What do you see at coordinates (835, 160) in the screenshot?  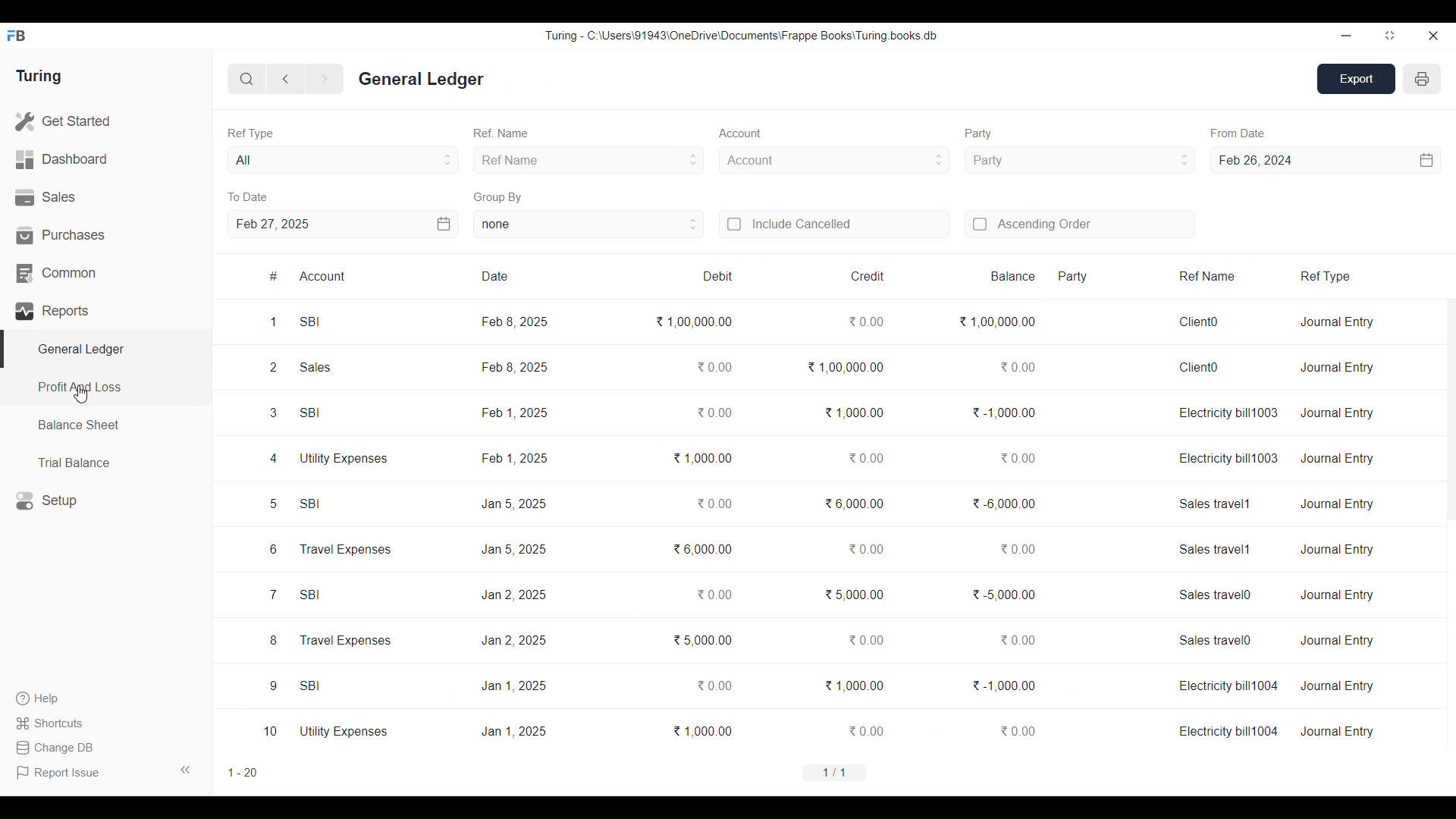 I see `Account` at bounding box center [835, 160].